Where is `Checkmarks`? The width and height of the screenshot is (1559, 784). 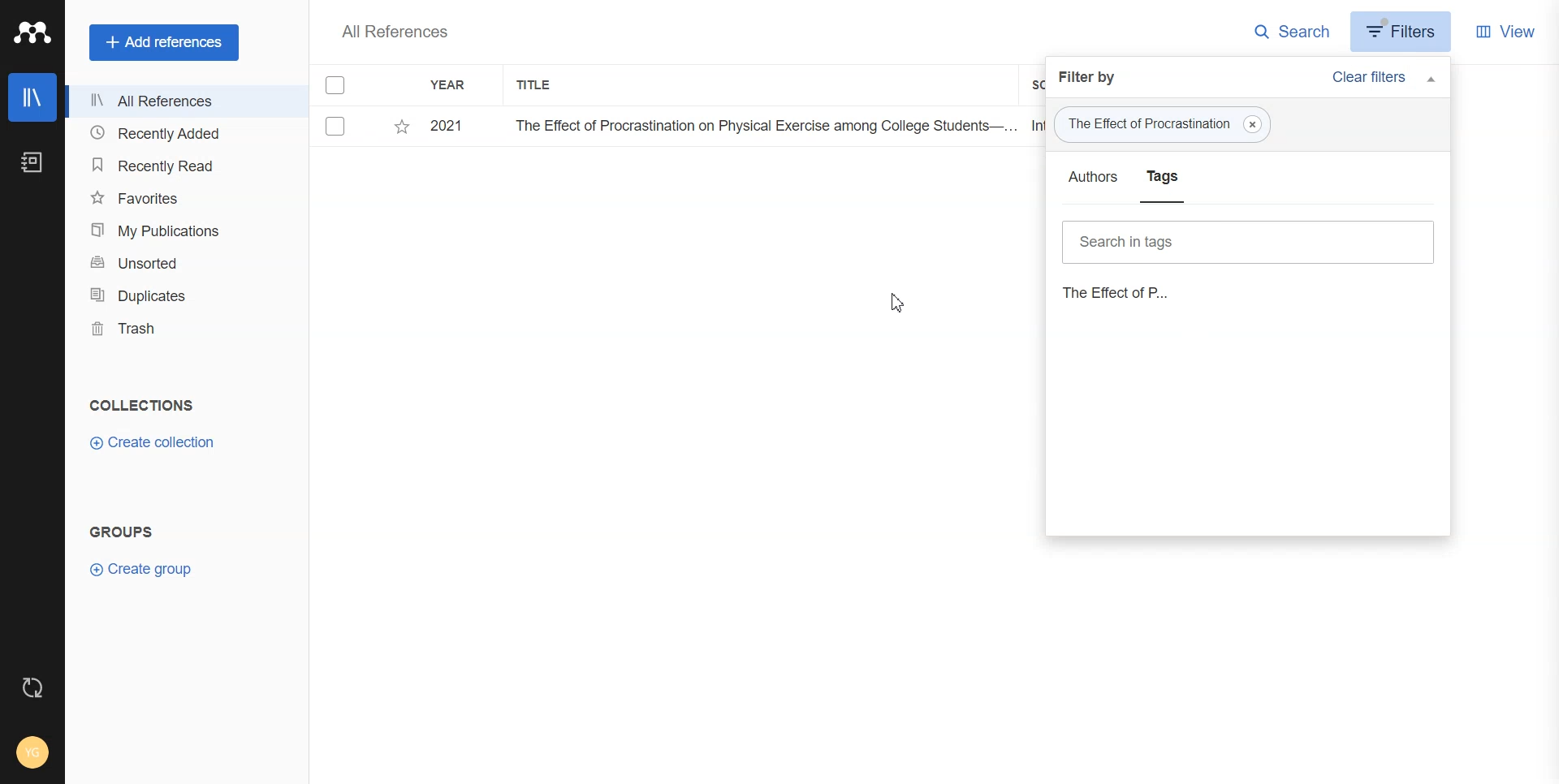 Checkmarks is located at coordinates (337, 85).